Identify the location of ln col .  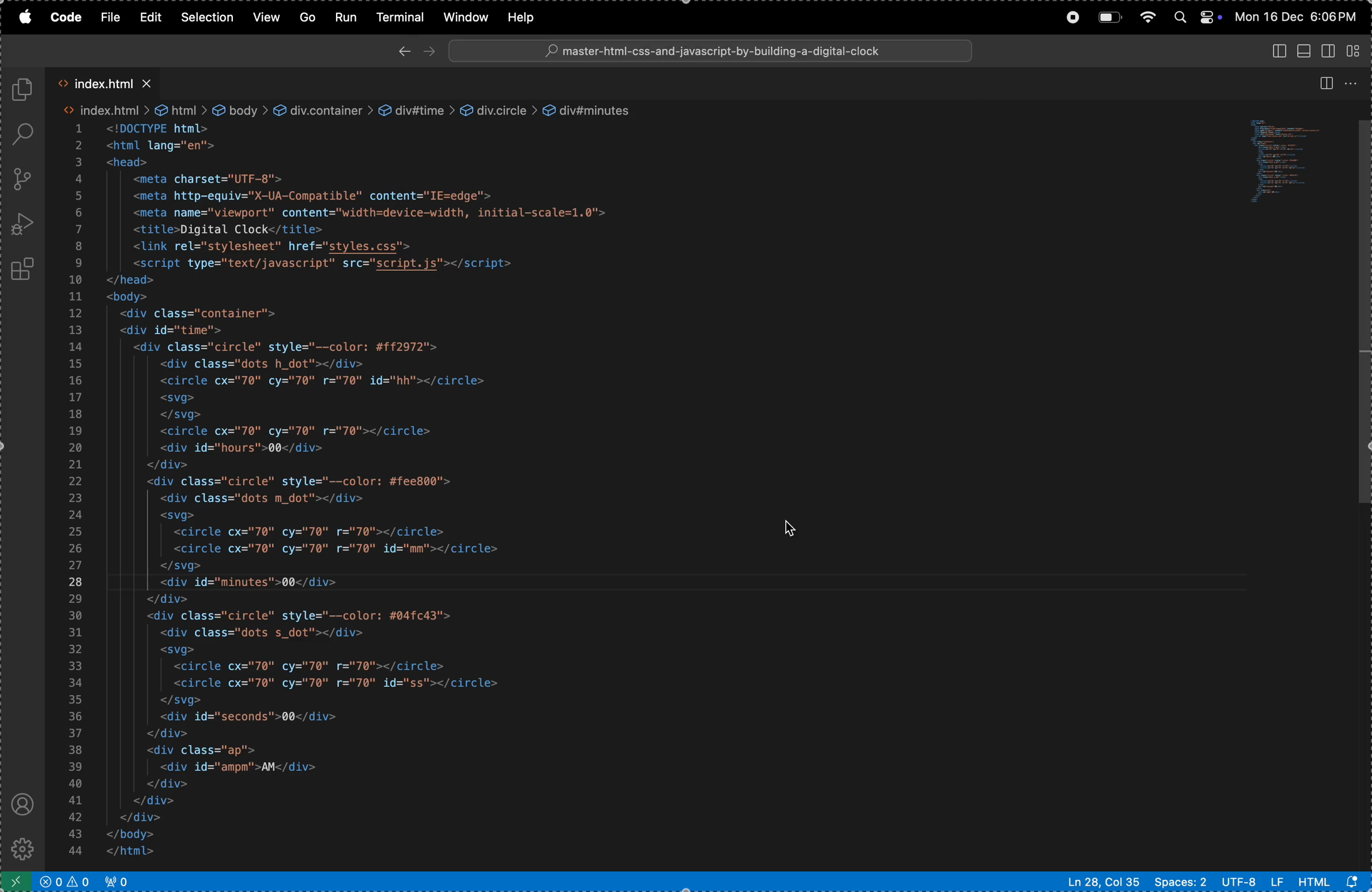
(1103, 881).